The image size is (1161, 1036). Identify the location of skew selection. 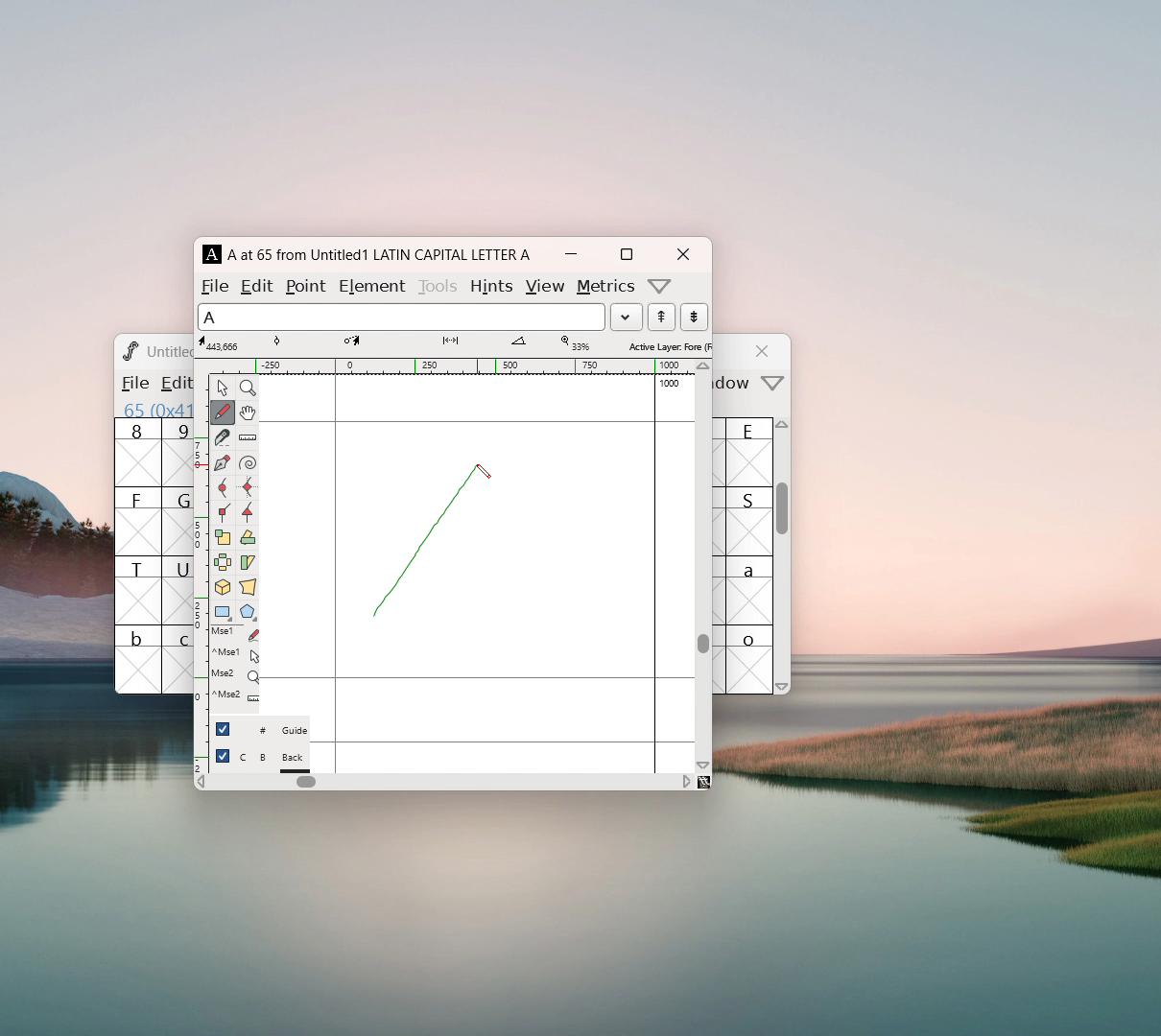
(247, 564).